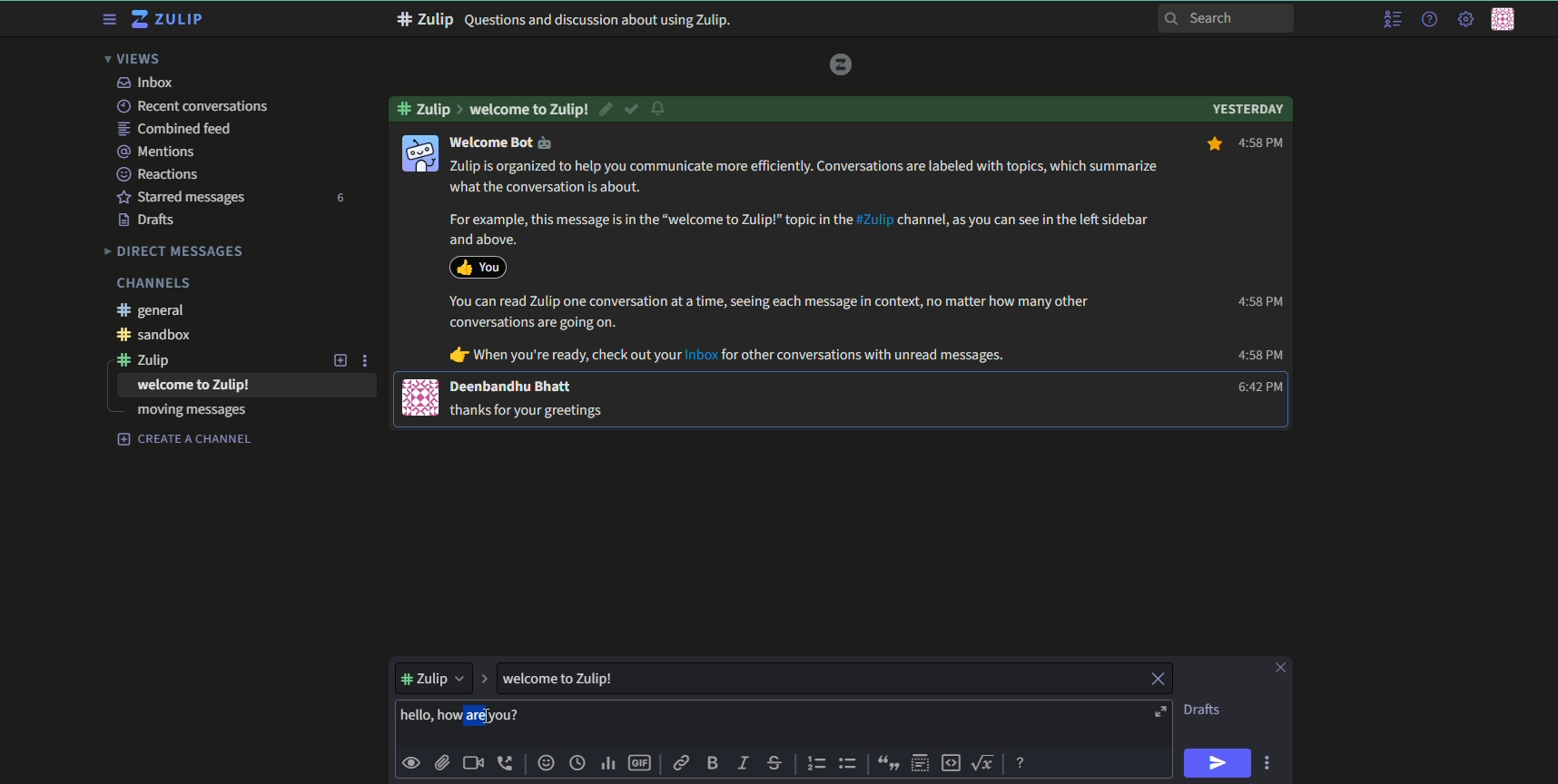 The width and height of the screenshot is (1558, 784). Describe the element at coordinates (194, 386) in the screenshot. I see `text` at that location.